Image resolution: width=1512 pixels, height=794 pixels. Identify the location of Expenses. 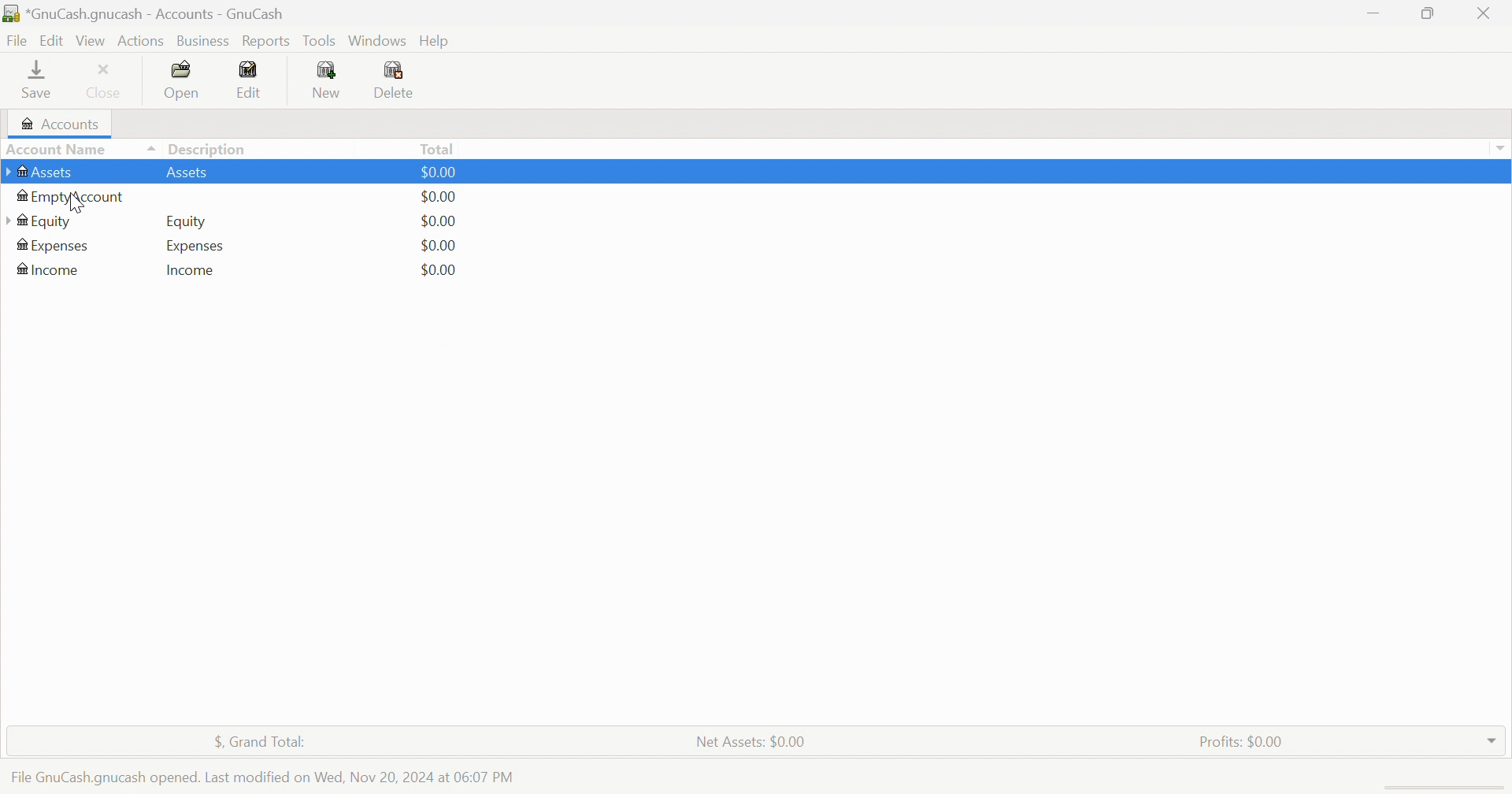
(59, 247).